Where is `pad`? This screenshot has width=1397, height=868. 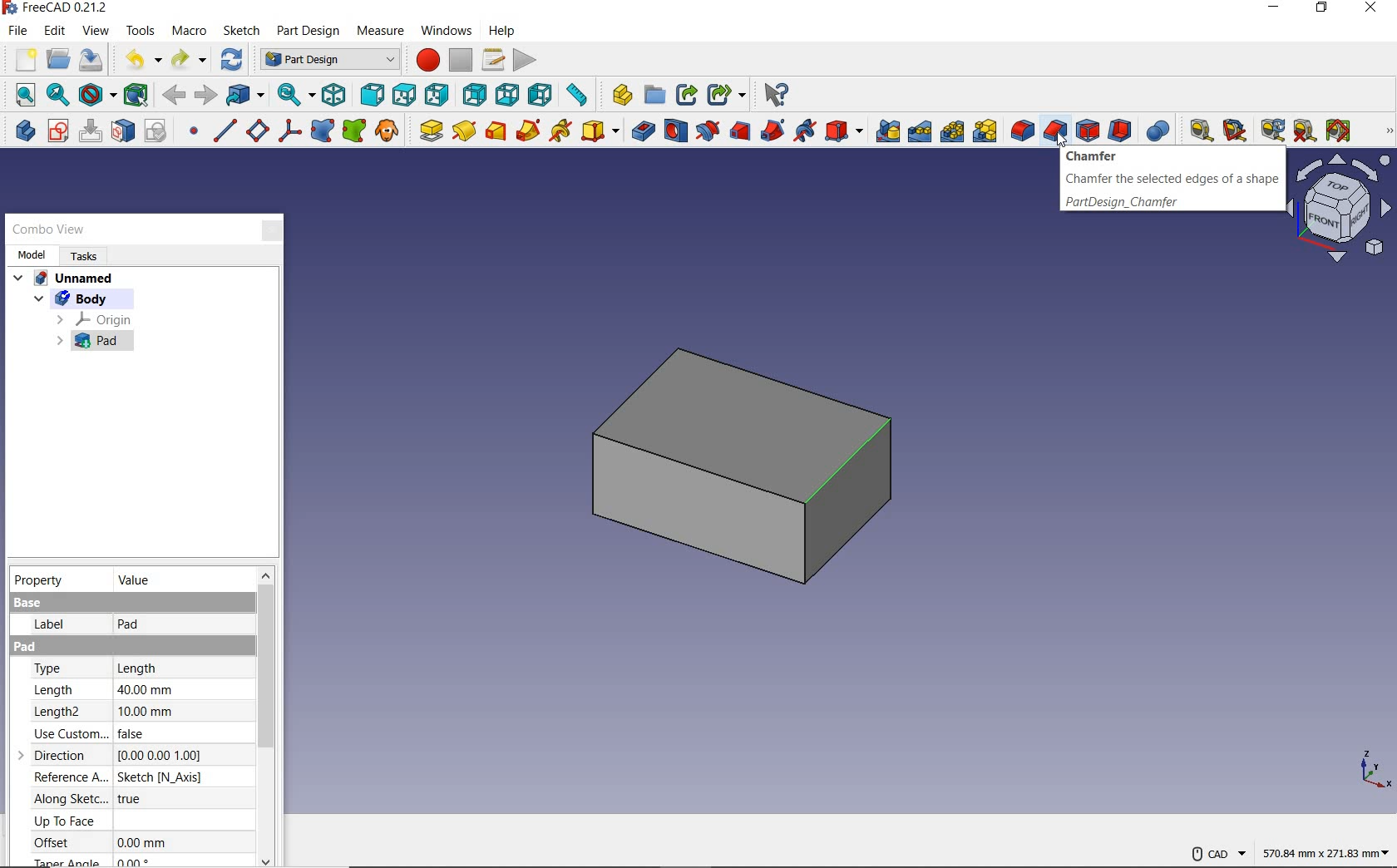 pad is located at coordinates (130, 628).